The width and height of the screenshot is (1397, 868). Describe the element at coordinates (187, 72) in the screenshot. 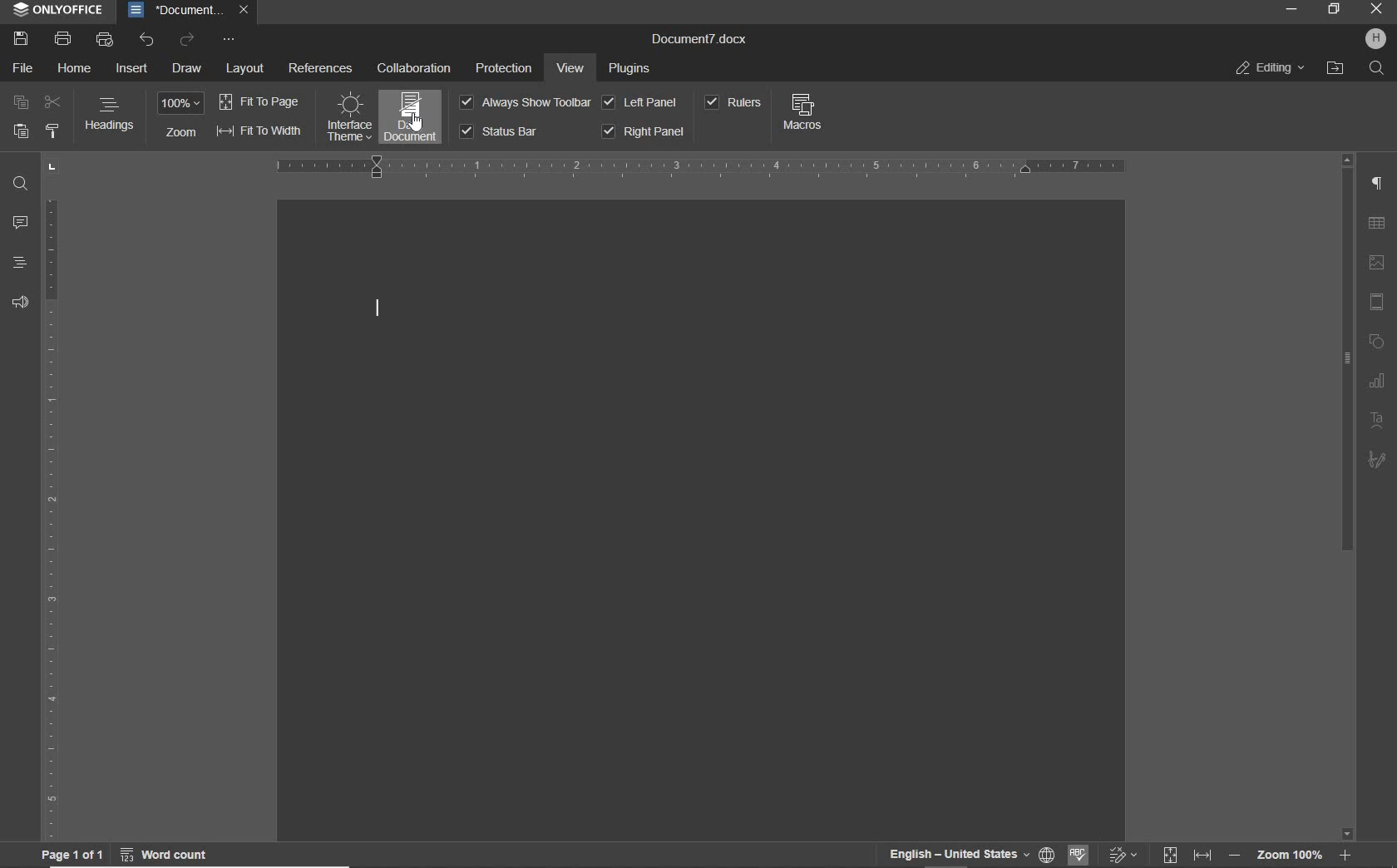

I see `DRAW` at that location.